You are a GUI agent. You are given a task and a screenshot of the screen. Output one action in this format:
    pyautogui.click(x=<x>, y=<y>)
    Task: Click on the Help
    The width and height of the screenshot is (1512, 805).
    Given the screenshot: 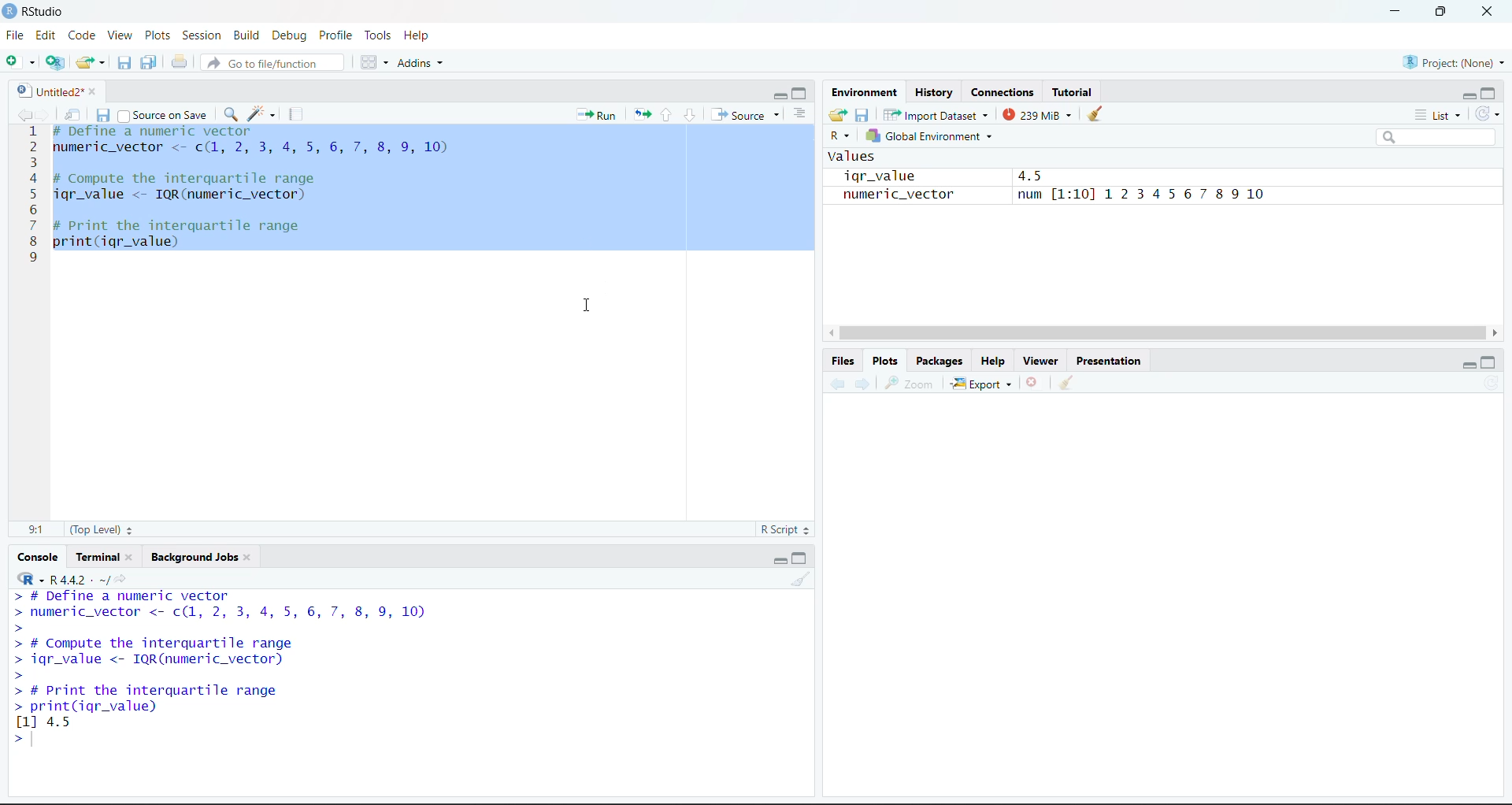 What is the action you would take?
    pyautogui.click(x=995, y=361)
    